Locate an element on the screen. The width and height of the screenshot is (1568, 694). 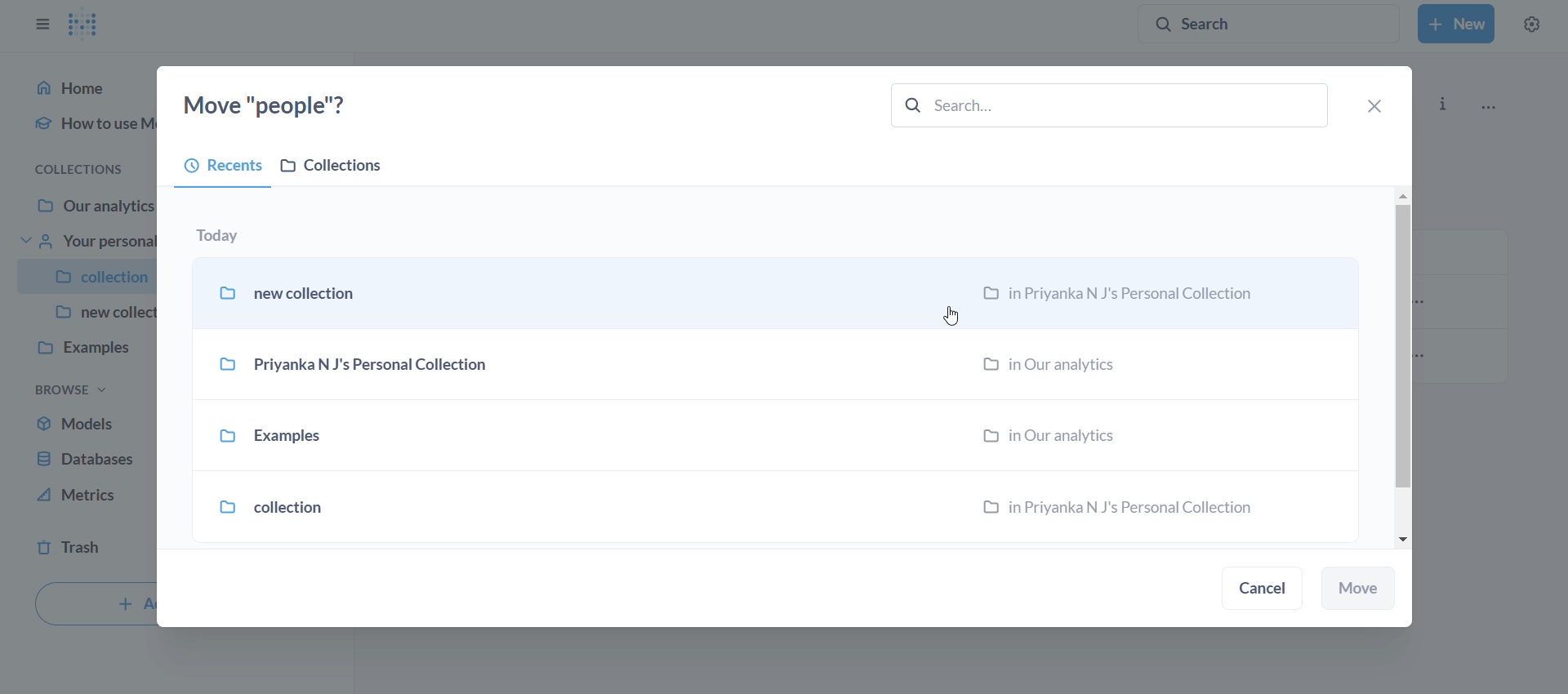
close sidebar is located at coordinates (41, 24).